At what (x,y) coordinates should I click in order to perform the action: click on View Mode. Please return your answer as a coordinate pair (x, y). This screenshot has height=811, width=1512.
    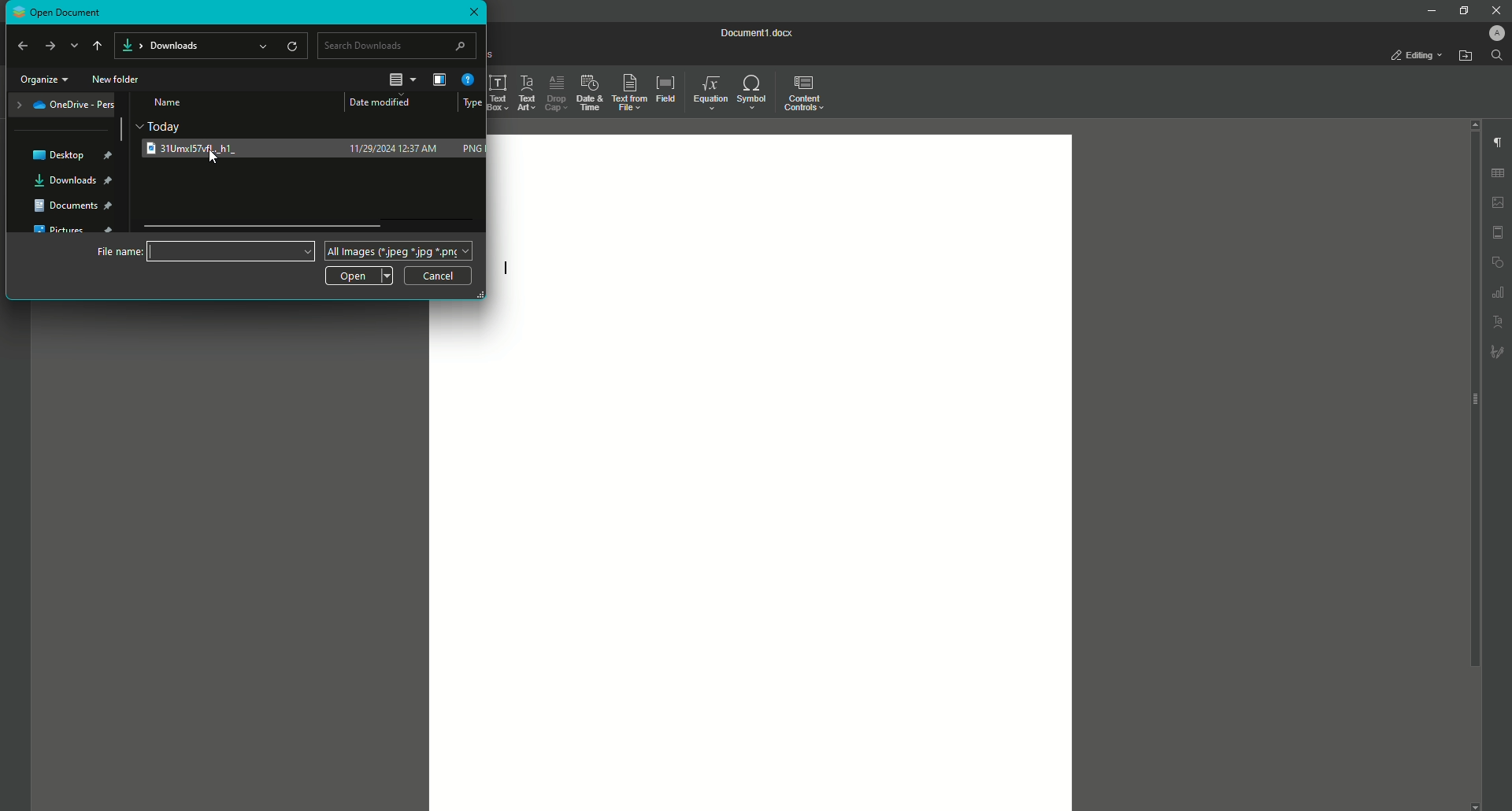
    Looking at the image, I should click on (402, 80).